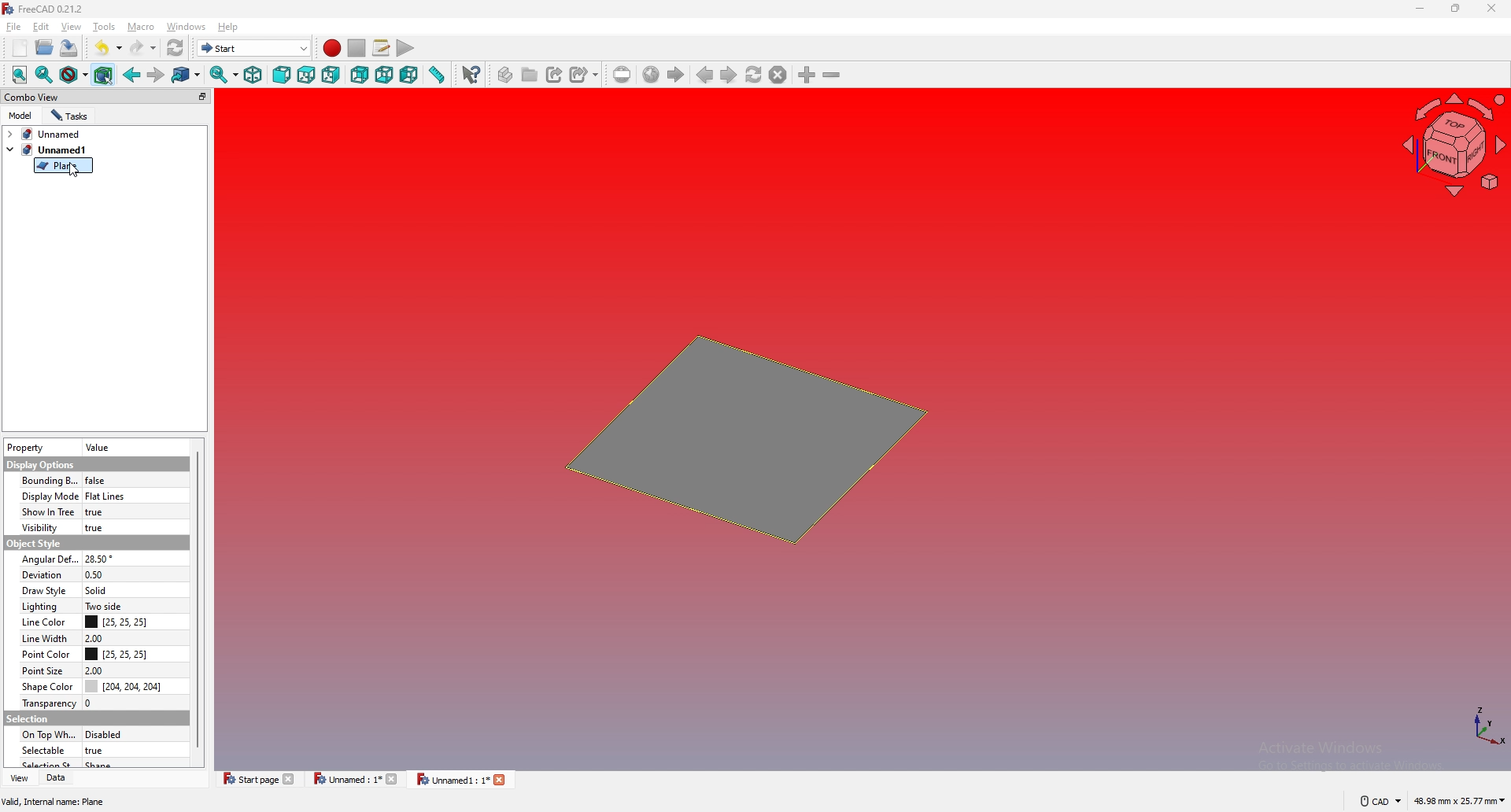 The image size is (1511, 812). Describe the element at coordinates (156, 76) in the screenshot. I see `forward` at that location.